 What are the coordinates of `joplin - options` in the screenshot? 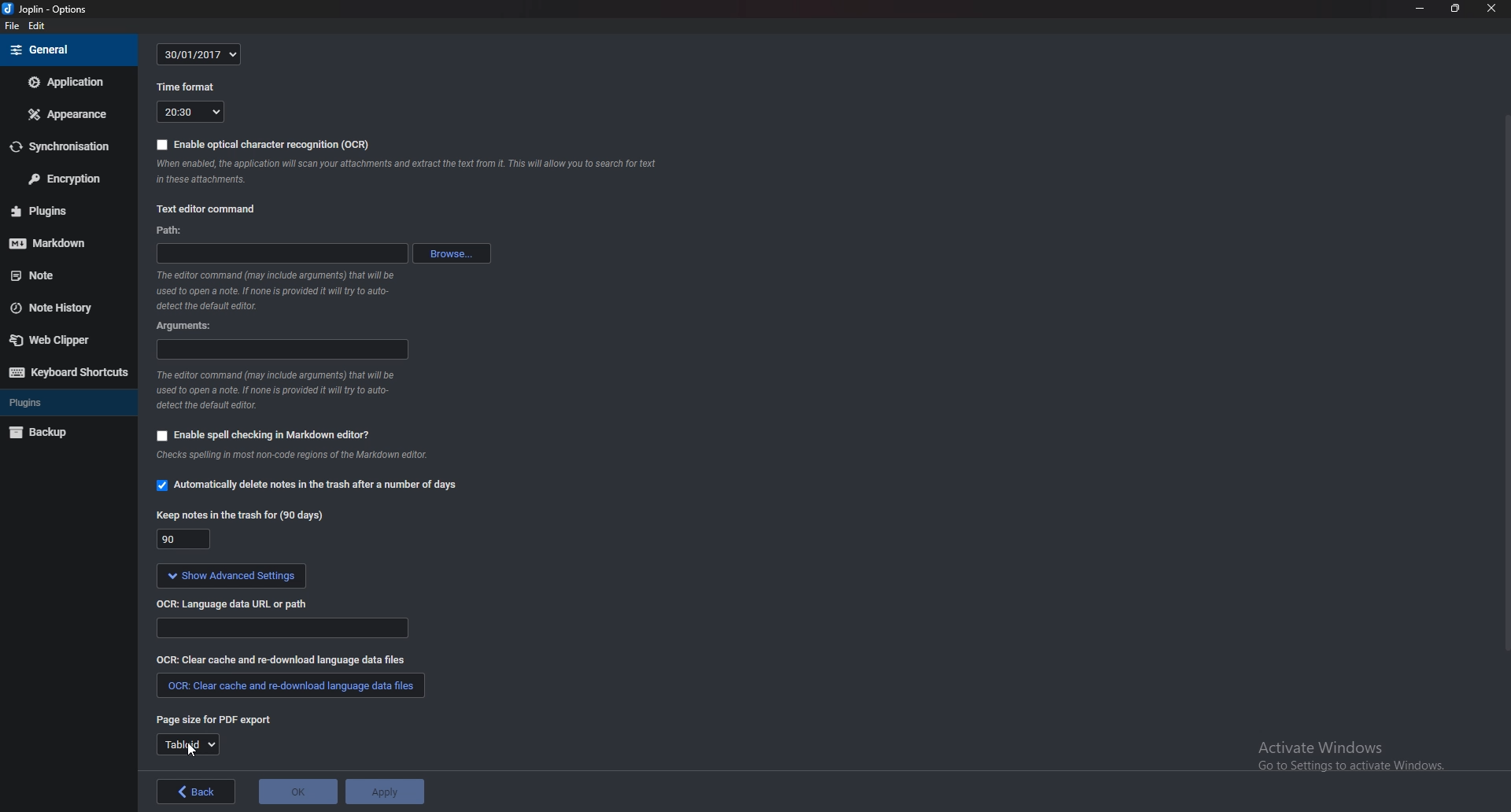 It's located at (50, 10).